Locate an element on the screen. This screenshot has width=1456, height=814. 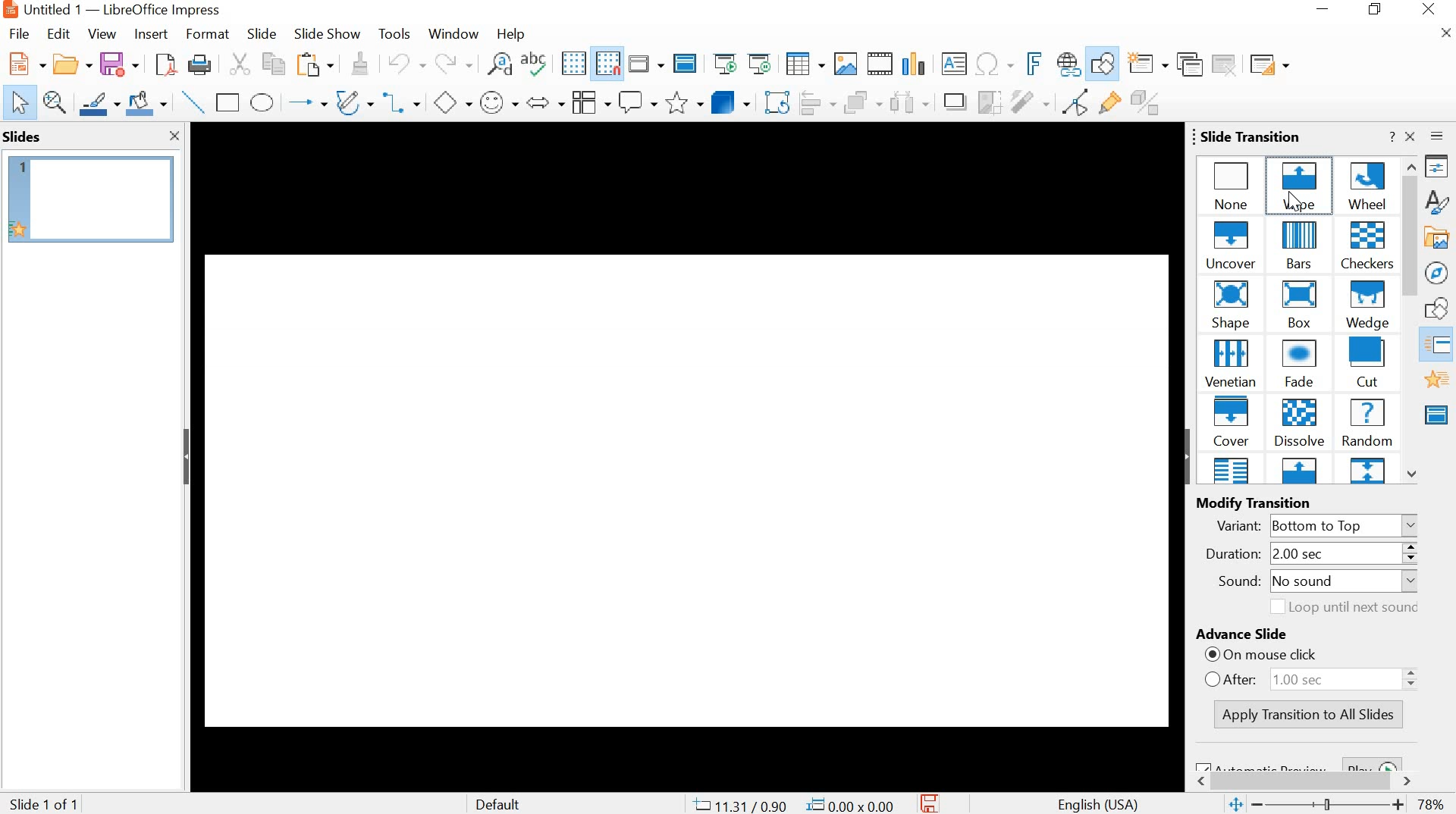
COPY is located at coordinates (277, 66).